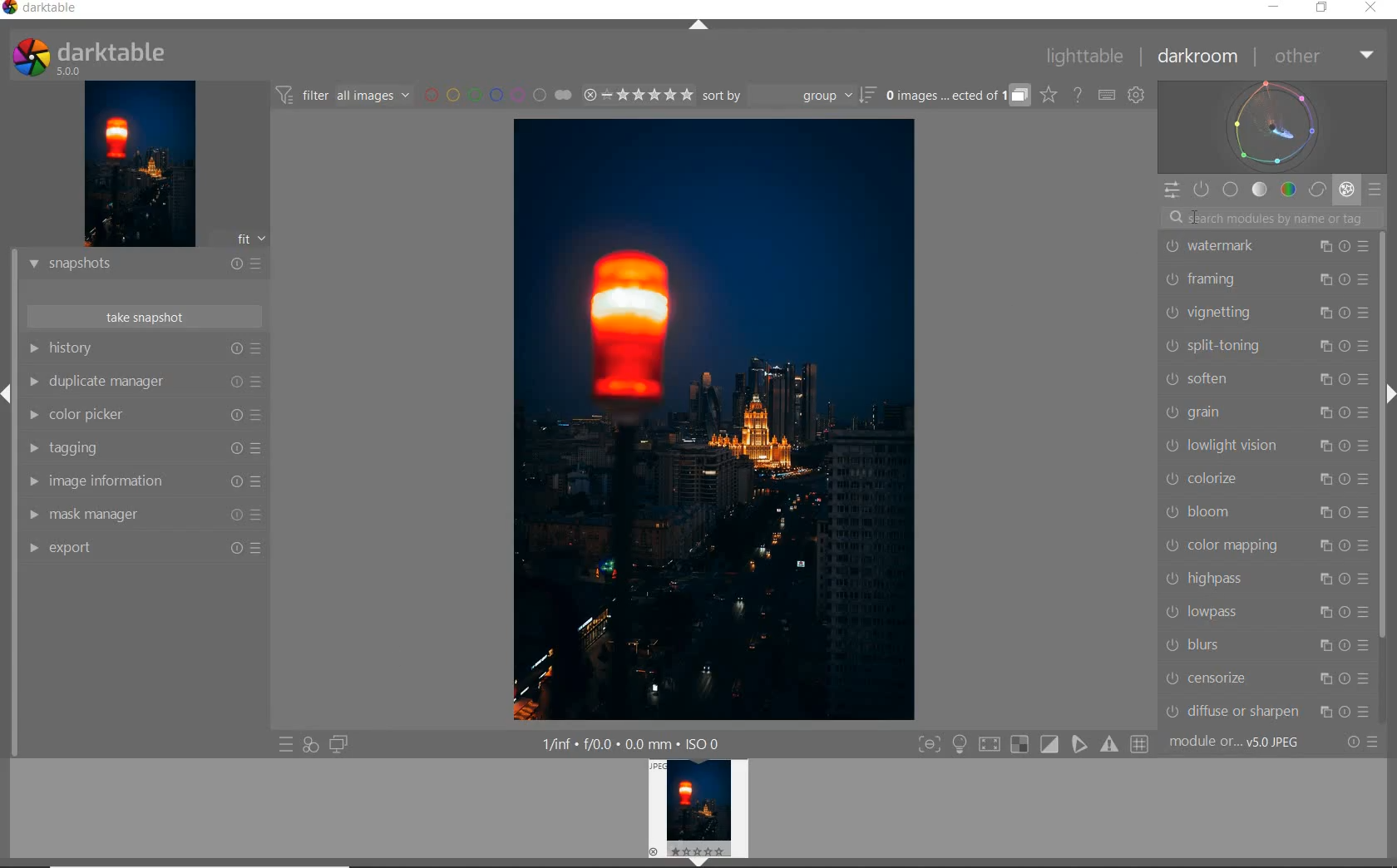 Image resolution: width=1397 pixels, height=868 pixels. Describe the element at coordinates (114, 382) in the screenshot. I see `DUPLICATE MANAGER` at that location.